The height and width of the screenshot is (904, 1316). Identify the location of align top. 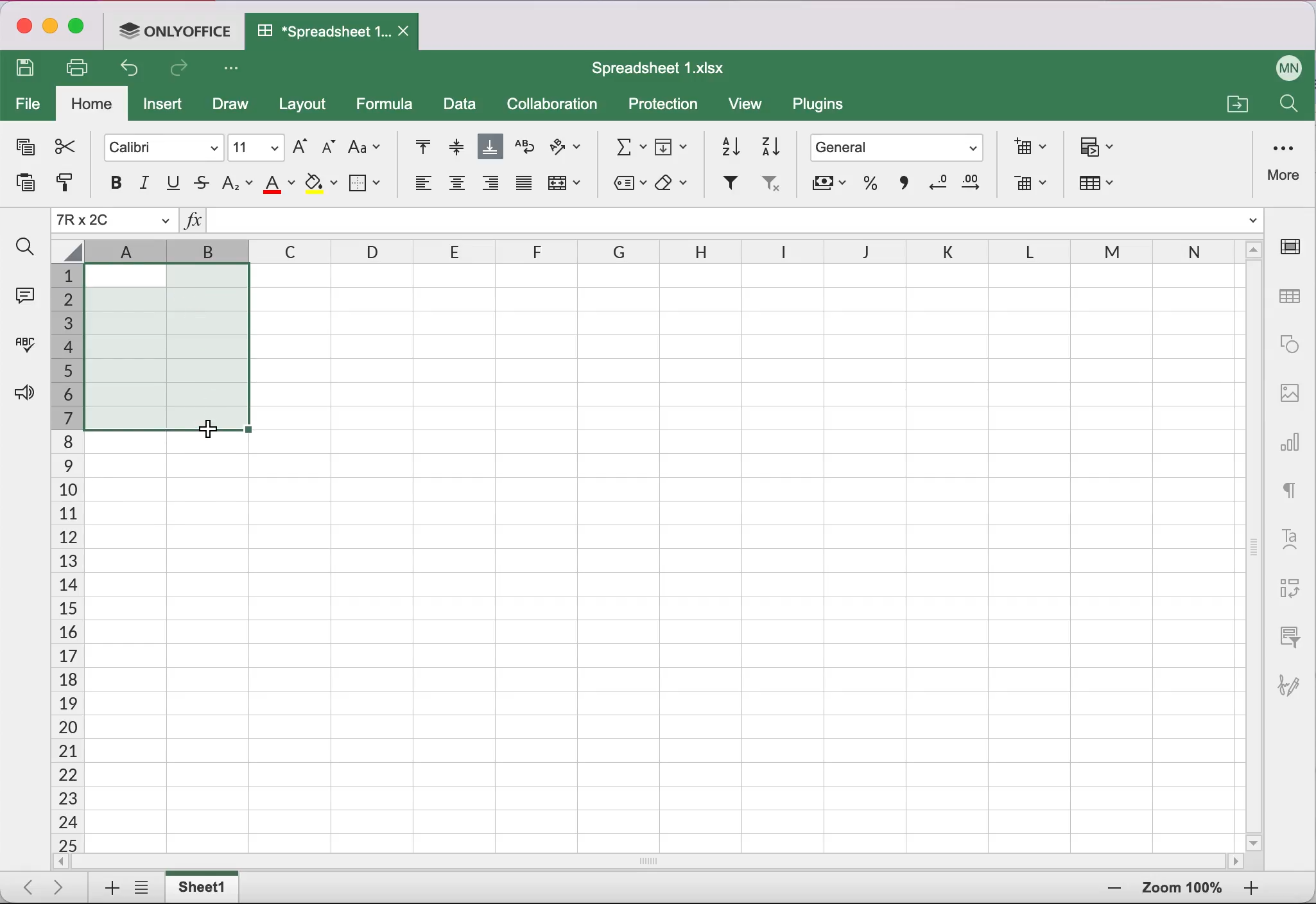
(415, 148).